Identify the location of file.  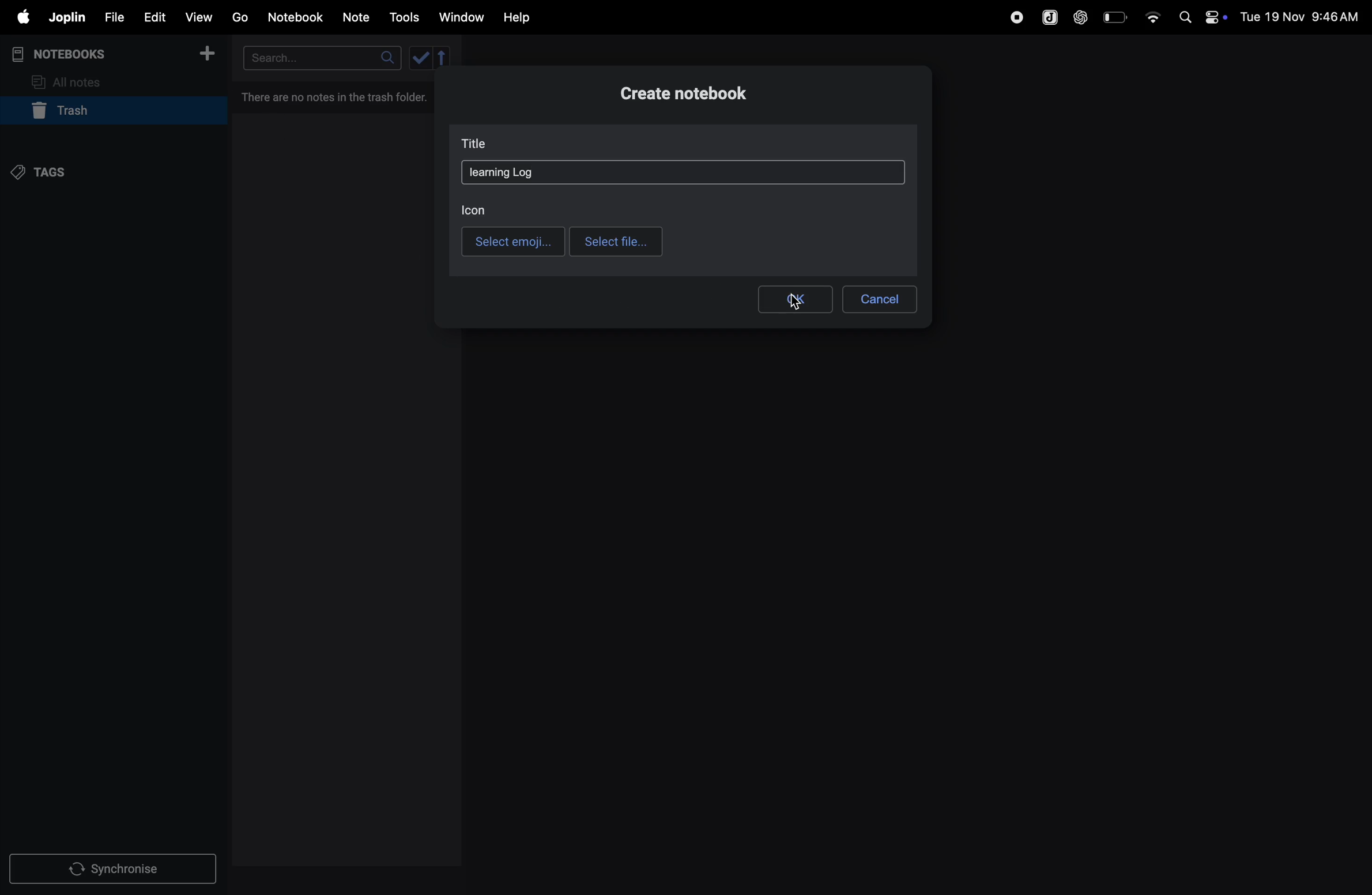
(112, 18).